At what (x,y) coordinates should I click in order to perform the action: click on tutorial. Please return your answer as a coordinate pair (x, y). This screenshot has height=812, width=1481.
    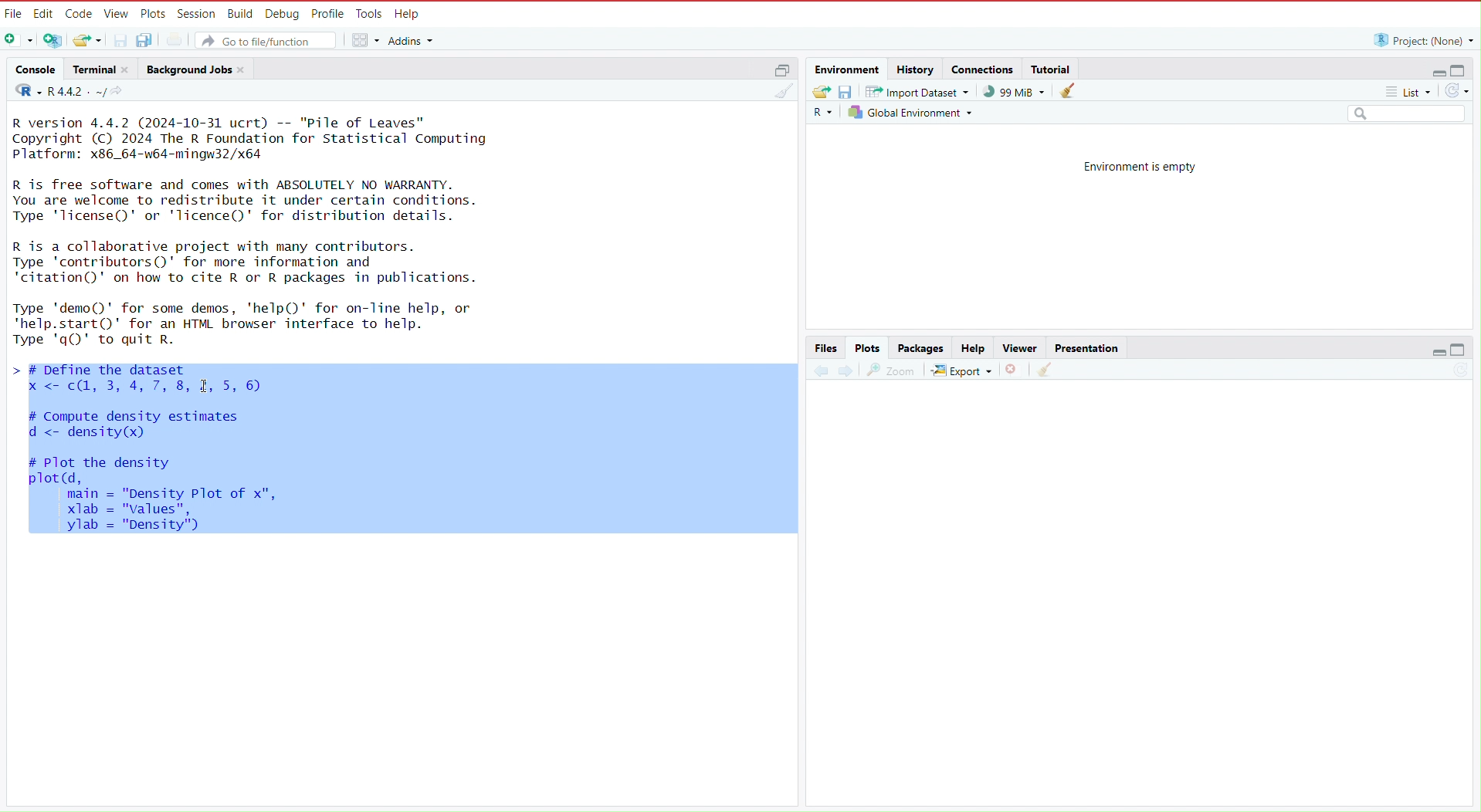
    Looking at the image, I should click on (1051, 66).